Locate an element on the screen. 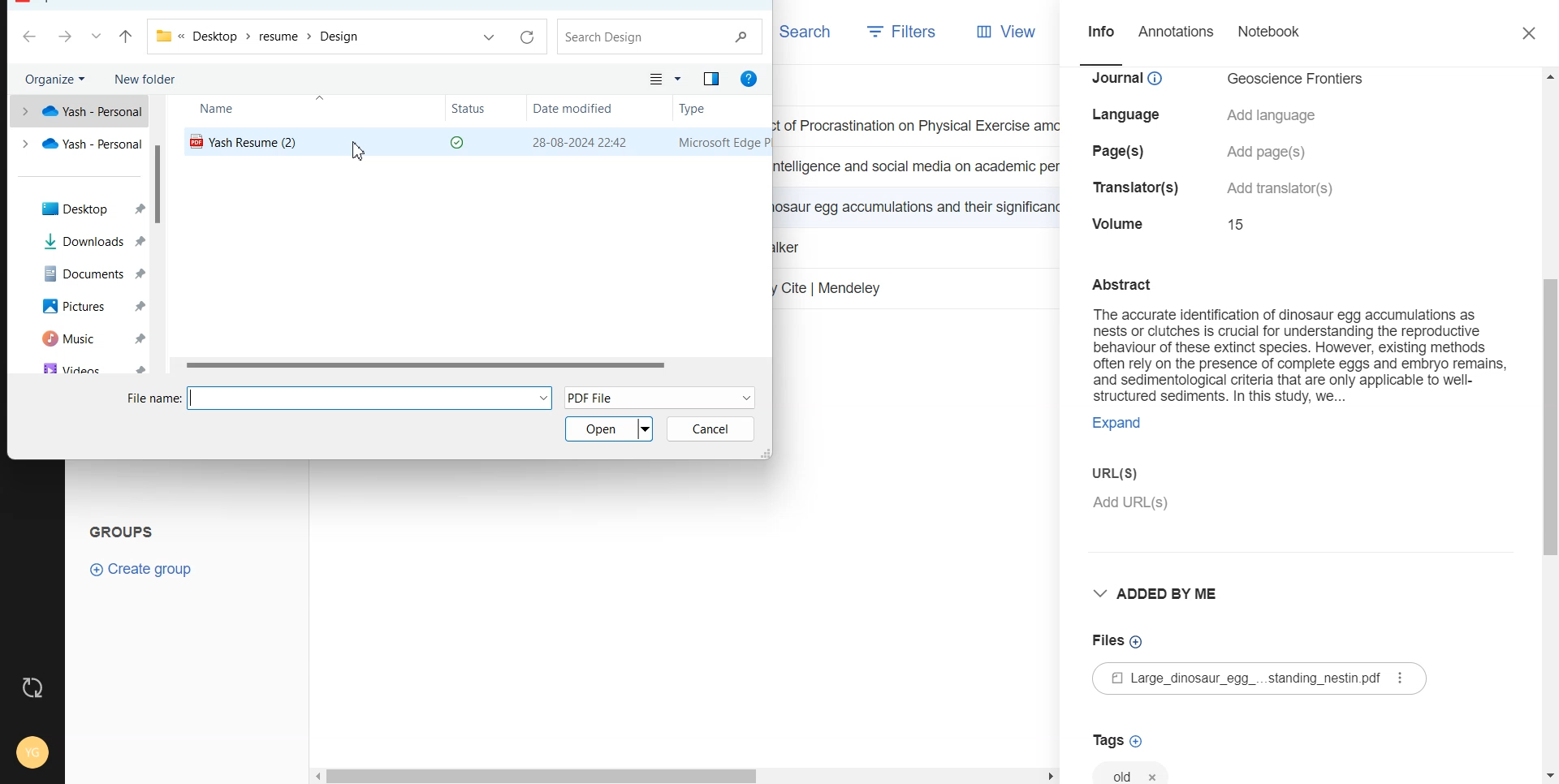  Name is located at coordinates (240, 110).